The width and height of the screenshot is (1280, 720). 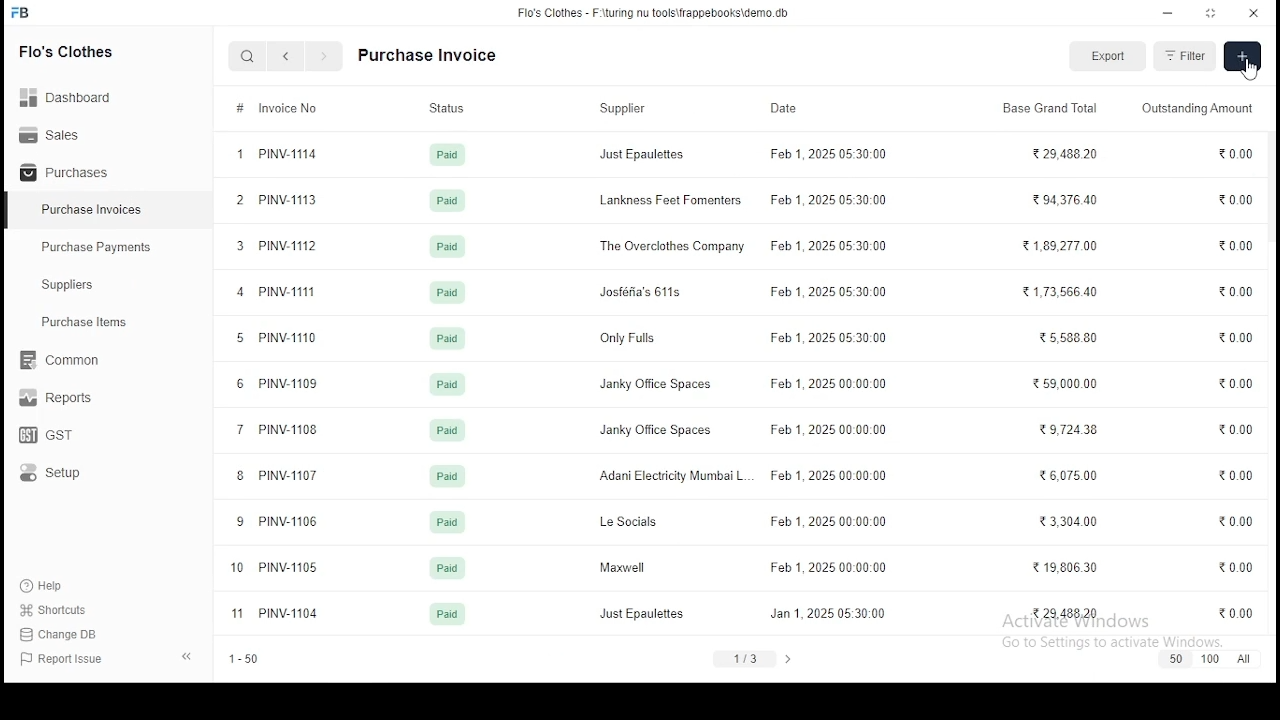 What do you see at coordinates (21, 13) in the screenshot?
I see `icon` at bounding box center [21, 13].